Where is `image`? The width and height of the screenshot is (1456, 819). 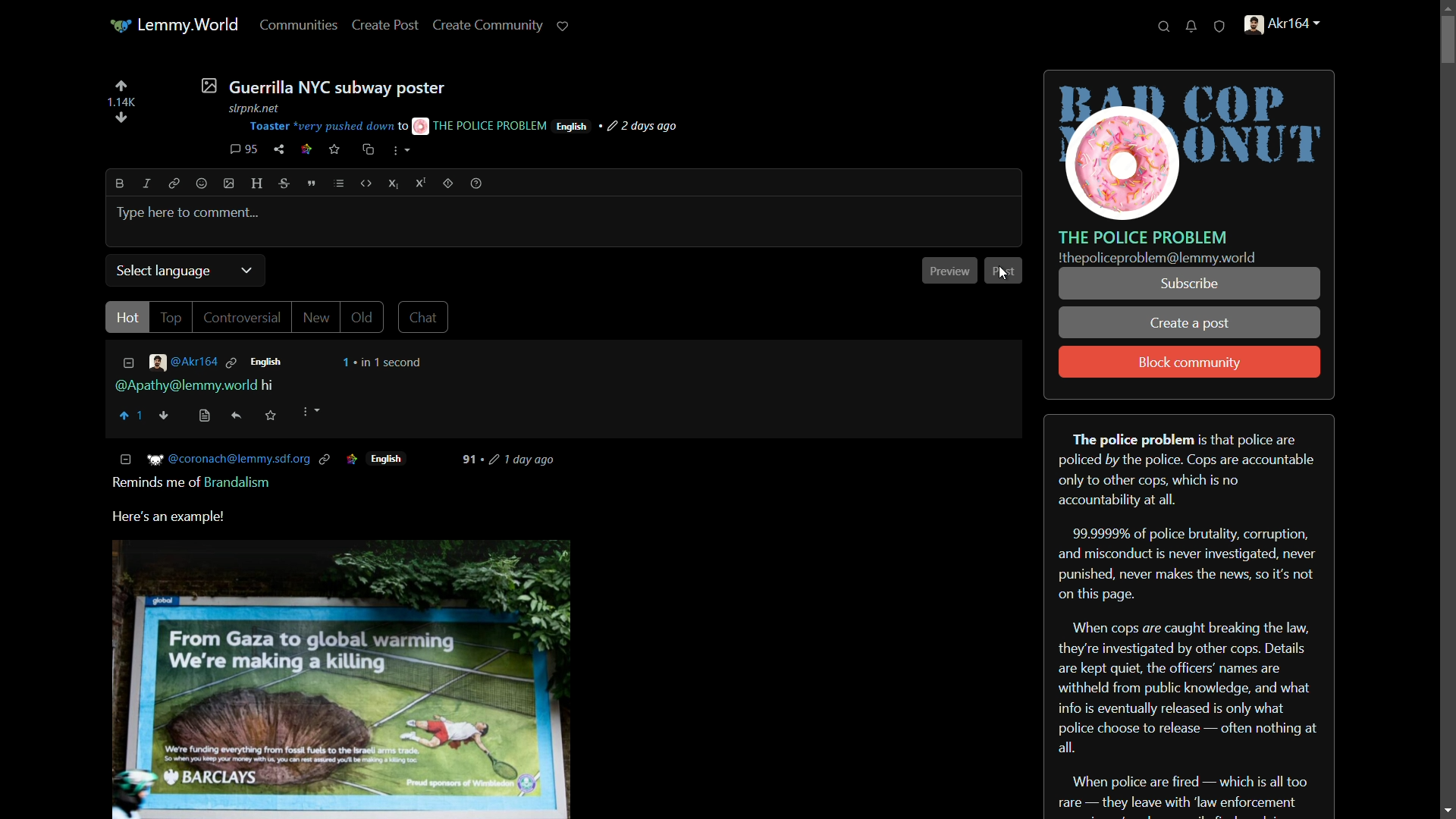
image is located at coordinates (343, 678).